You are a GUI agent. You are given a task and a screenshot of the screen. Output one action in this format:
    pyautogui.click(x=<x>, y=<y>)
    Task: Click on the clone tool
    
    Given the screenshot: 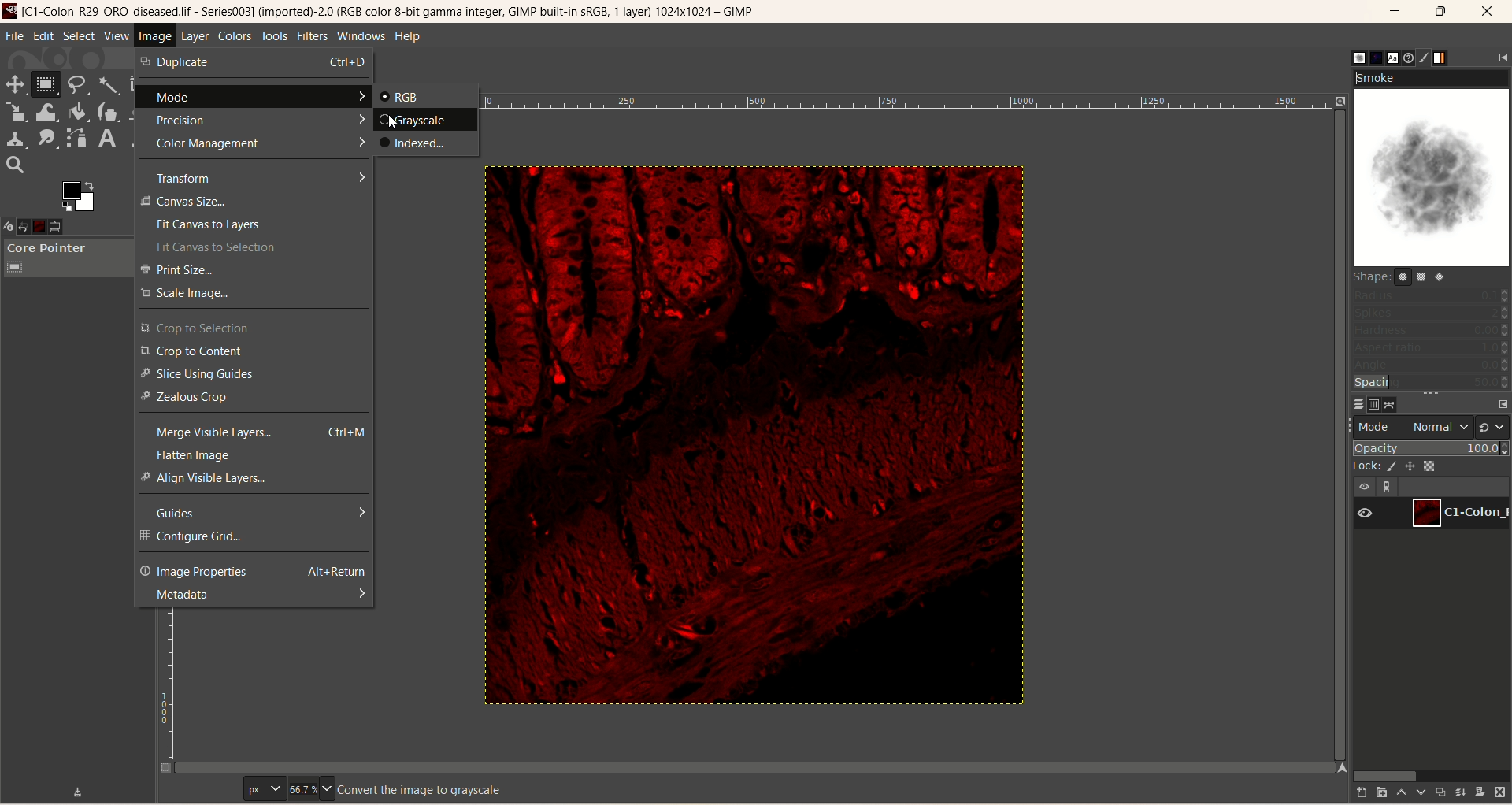 What is the action you would take?
    pyautogui.click(x=17, y=138)
    